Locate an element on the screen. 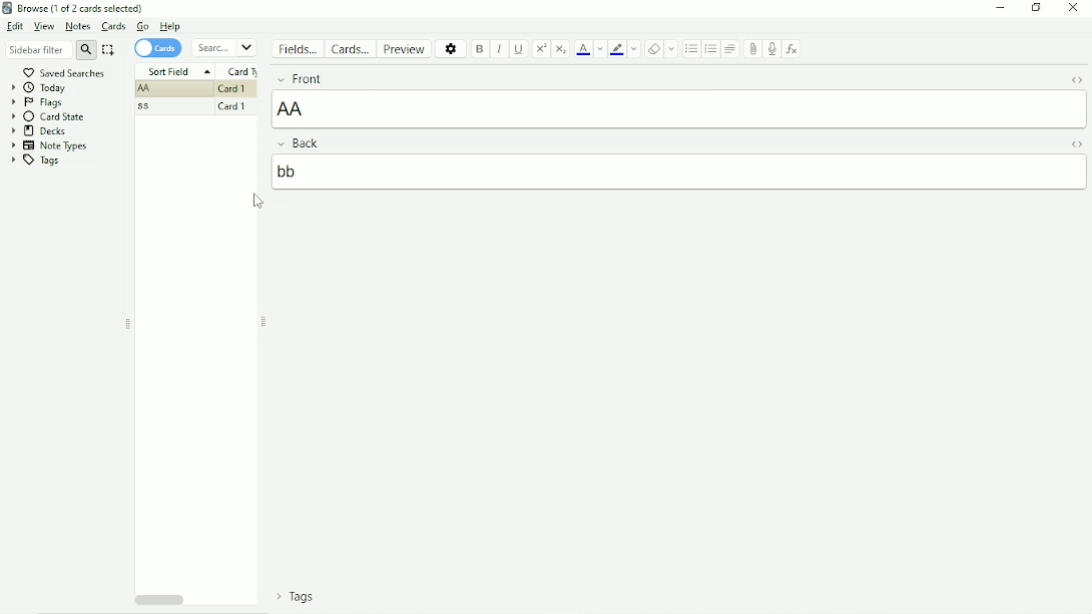 The height and width of the screenshot is (614, 1092). Resize is located at coordinates (128, 325).